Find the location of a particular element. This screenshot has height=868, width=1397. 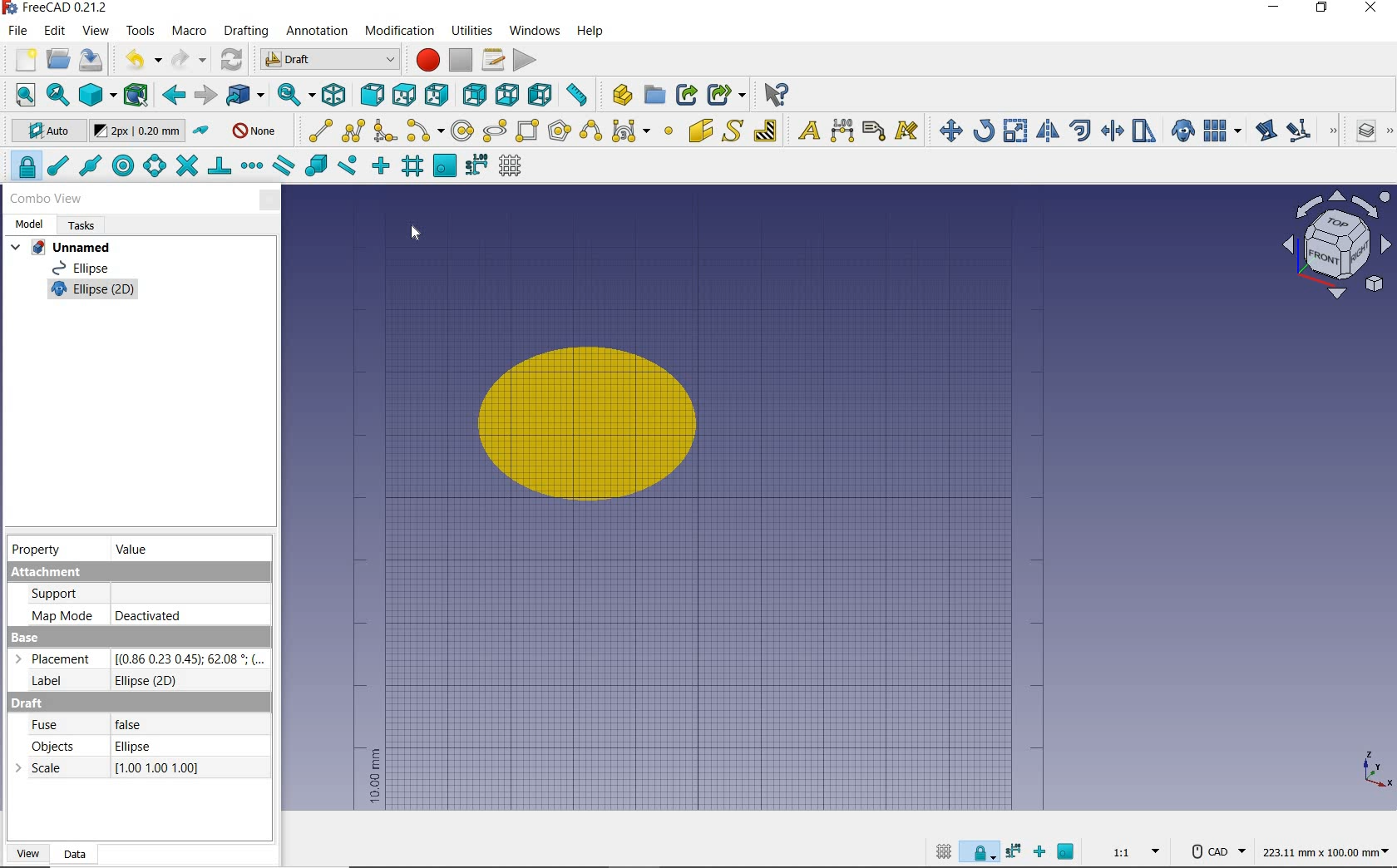

Cursor is located at coordinates (412, 233).